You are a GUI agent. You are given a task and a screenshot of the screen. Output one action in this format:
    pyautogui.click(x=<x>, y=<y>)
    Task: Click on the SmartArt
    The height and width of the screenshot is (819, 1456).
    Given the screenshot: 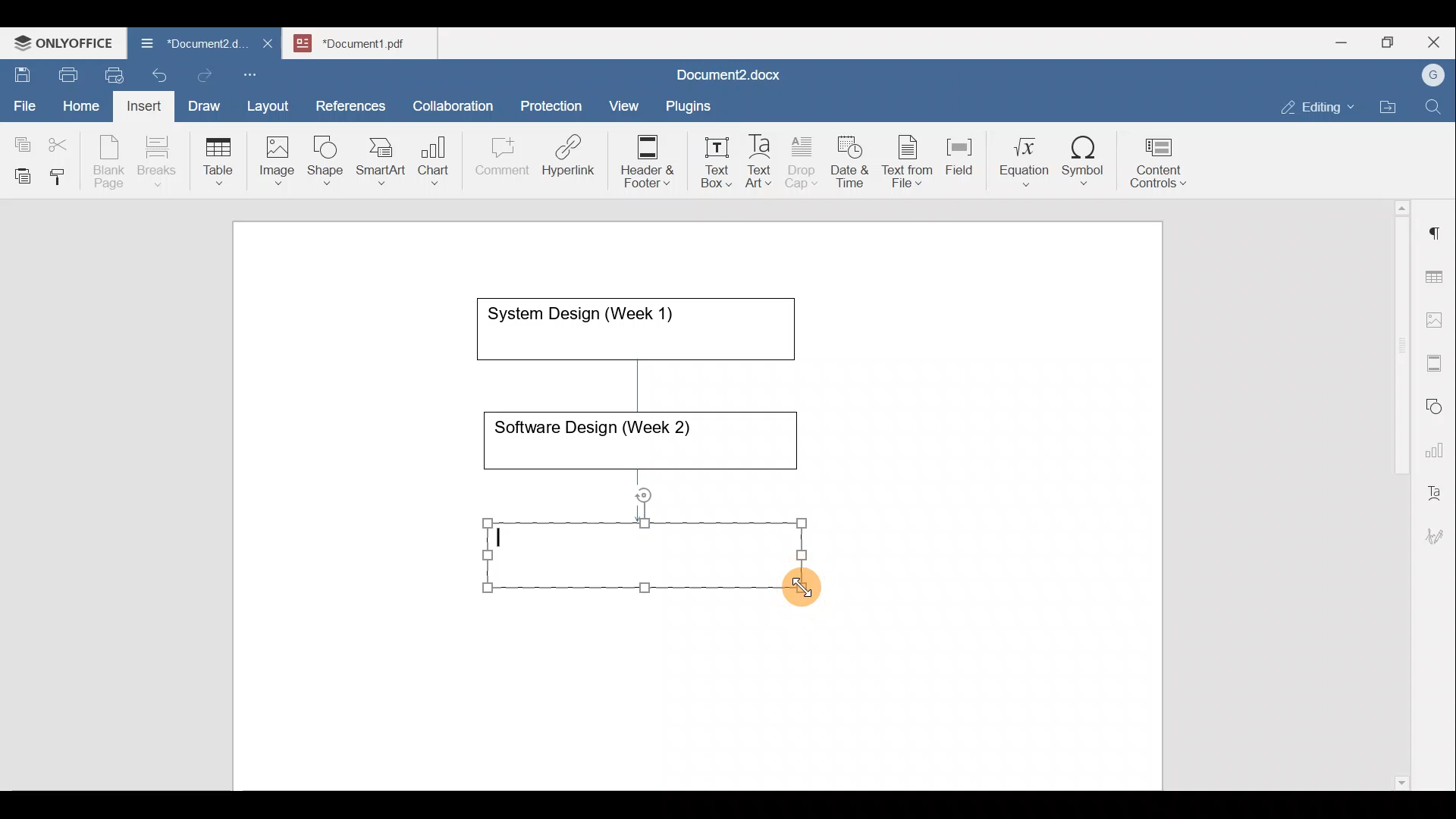 What is the action you would take?
    pyautogui.click(x=378, y=158)
    